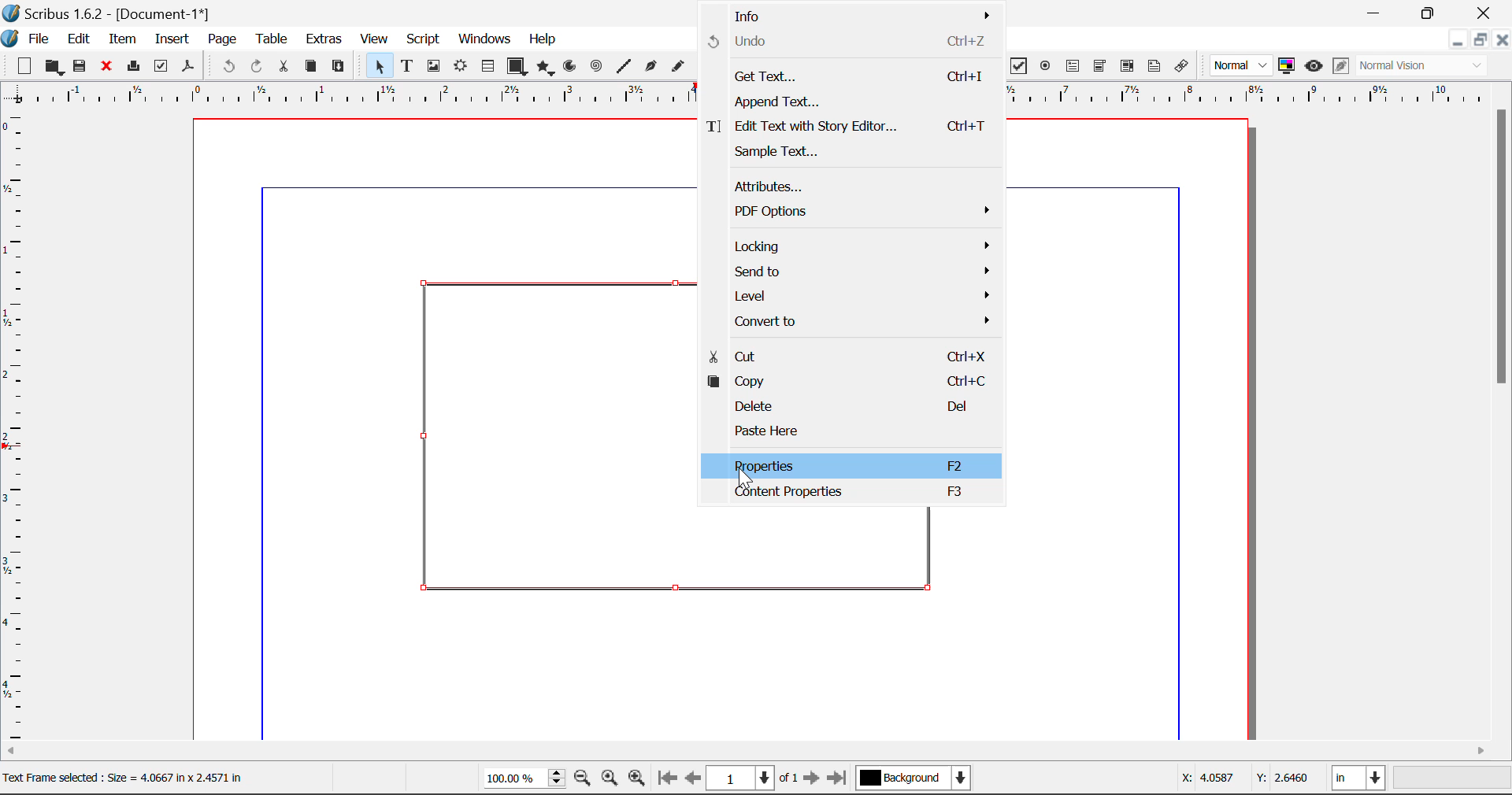  I want to click on View, so click(375, 40).